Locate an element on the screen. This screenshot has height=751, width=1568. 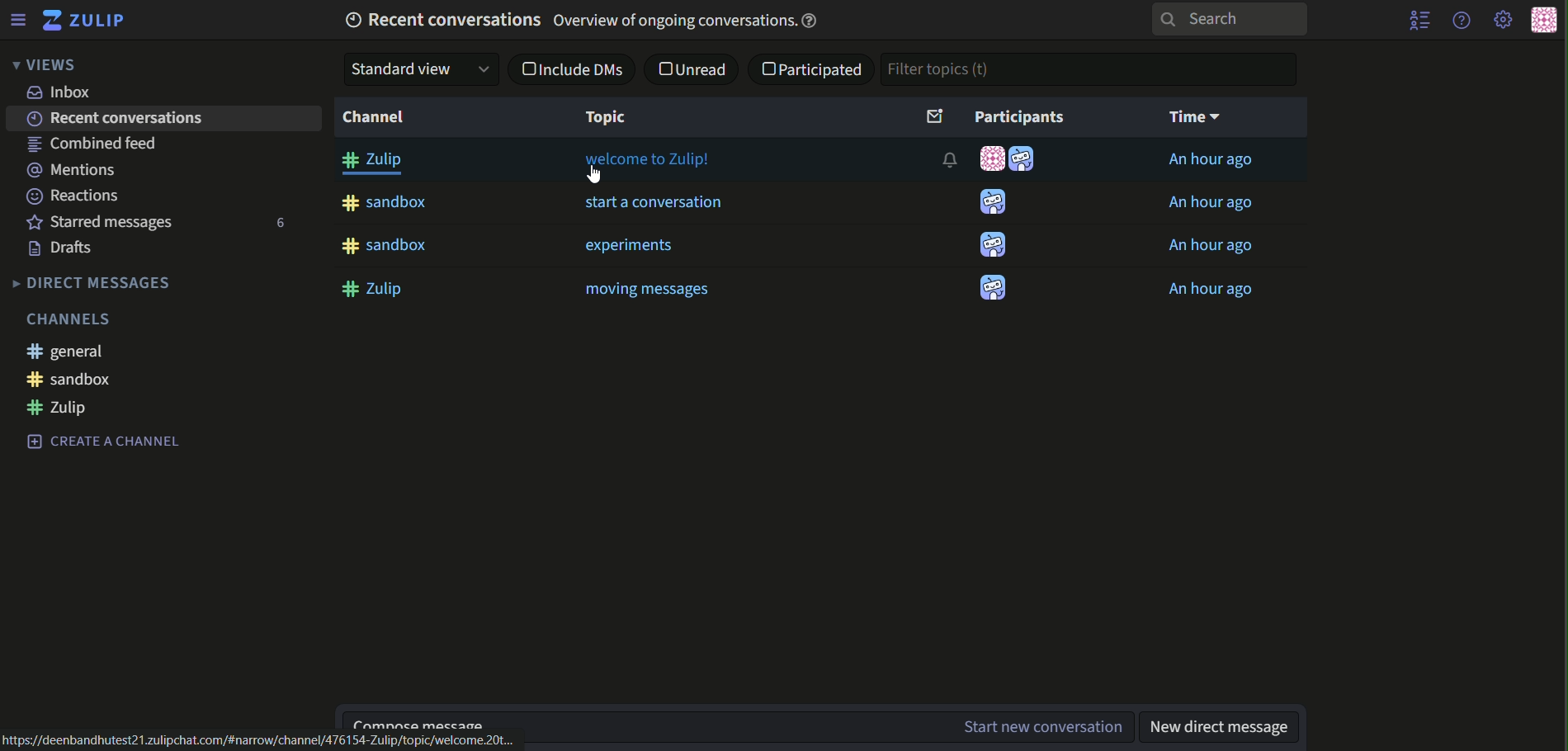
text is located at coordinates (68, 410).